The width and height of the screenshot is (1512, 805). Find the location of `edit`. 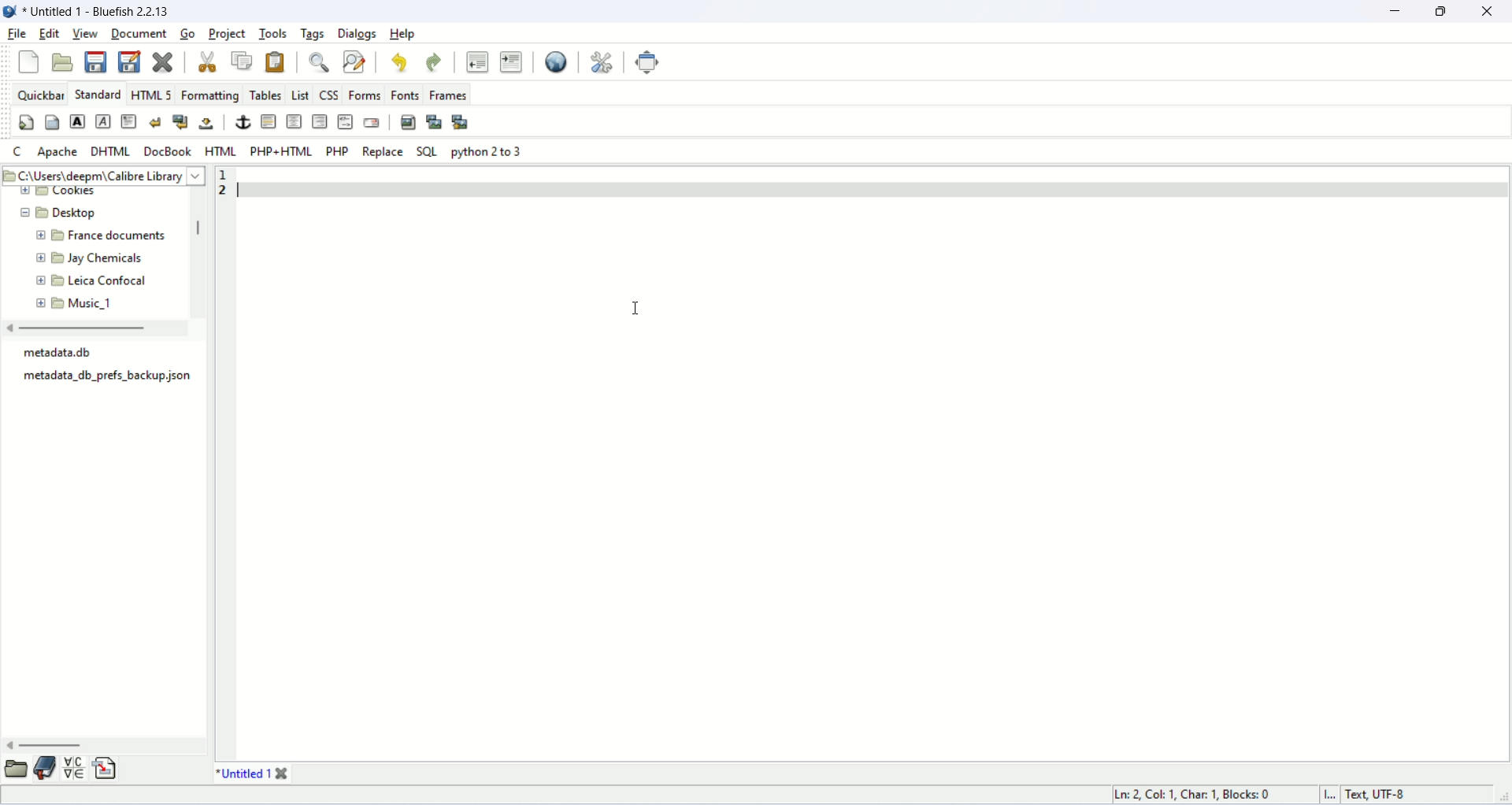

edit is located at coordinates (48, 35).